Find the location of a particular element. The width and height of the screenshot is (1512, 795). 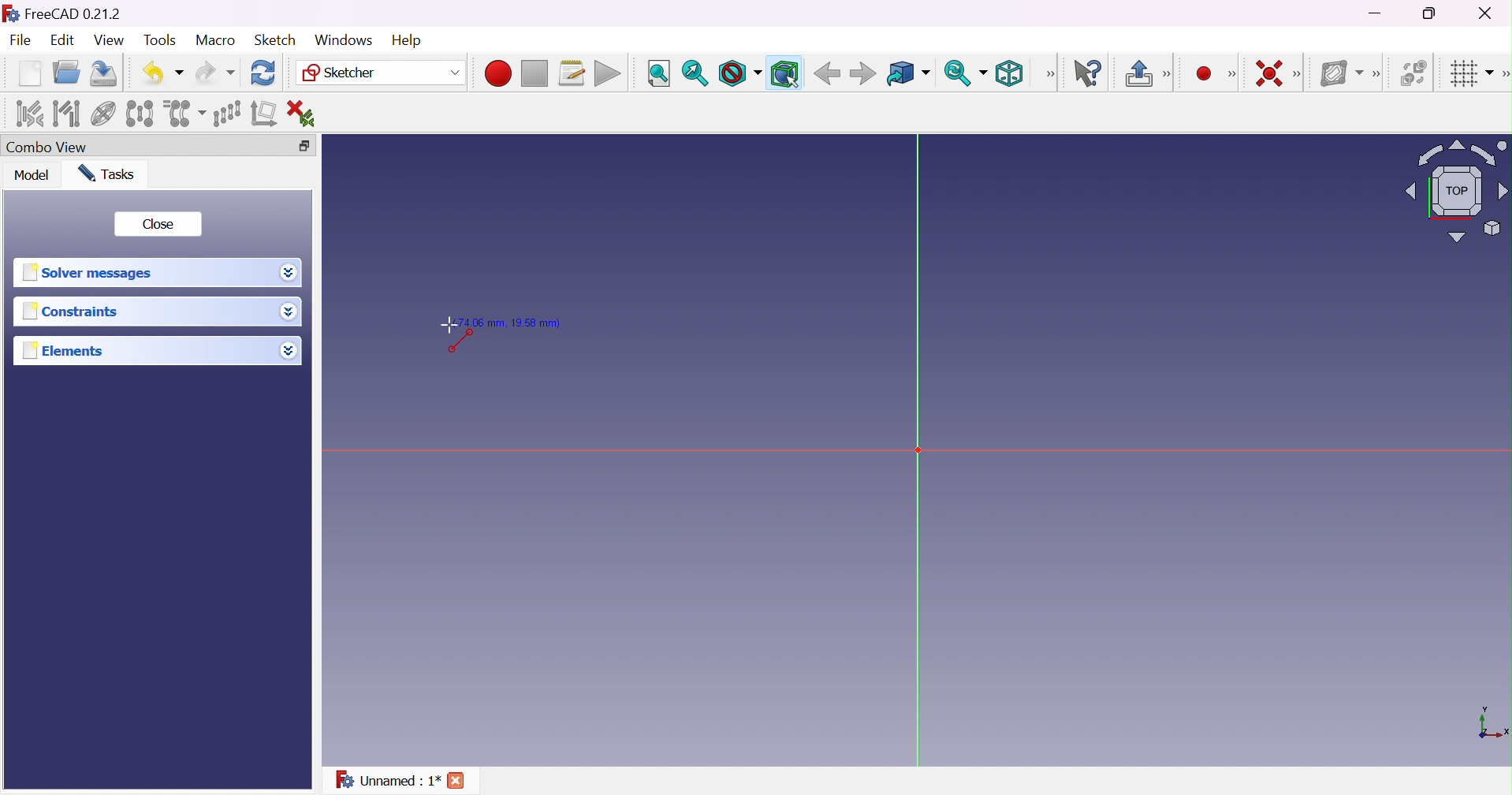

Sketch is located at coordinates (277, 40).